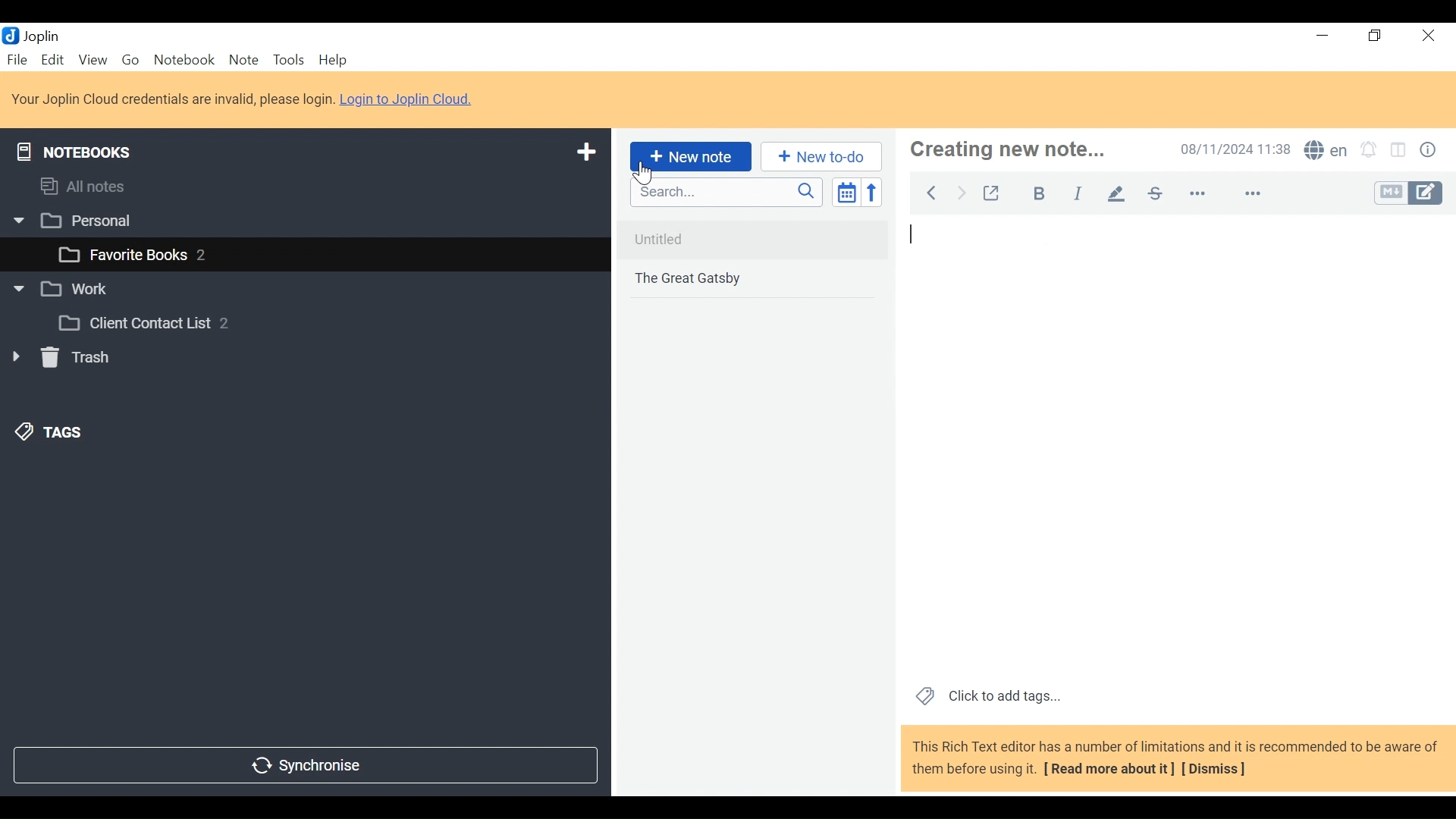 The height and width of the screenshot is (819, 1456). Describe the element at coordinates (132, 255) in the screenshot. I see `favourite books` at that location.